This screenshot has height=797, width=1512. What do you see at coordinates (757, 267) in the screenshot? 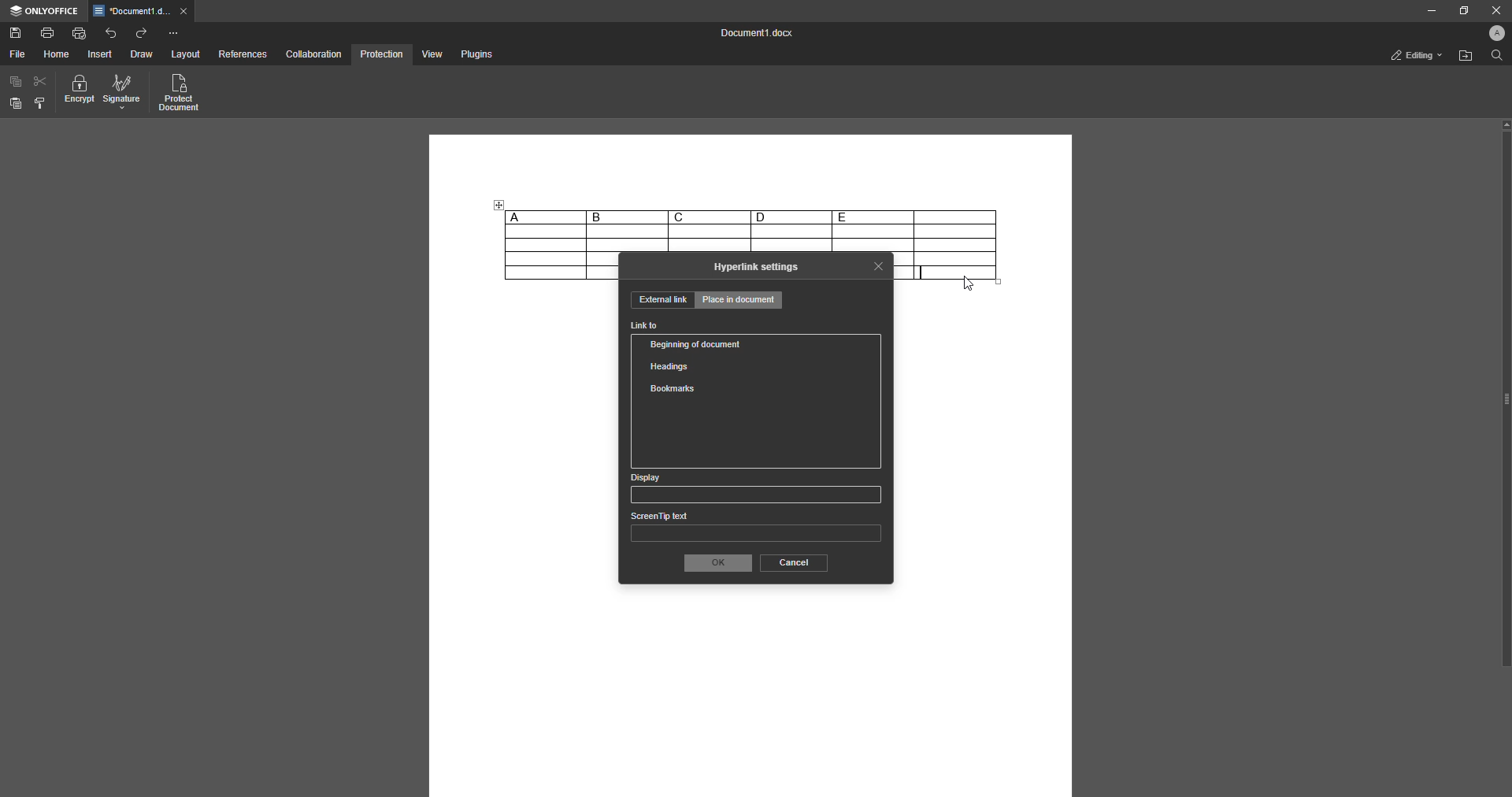
I see `Hyperlink Settings` at bounding box center [757, 267].